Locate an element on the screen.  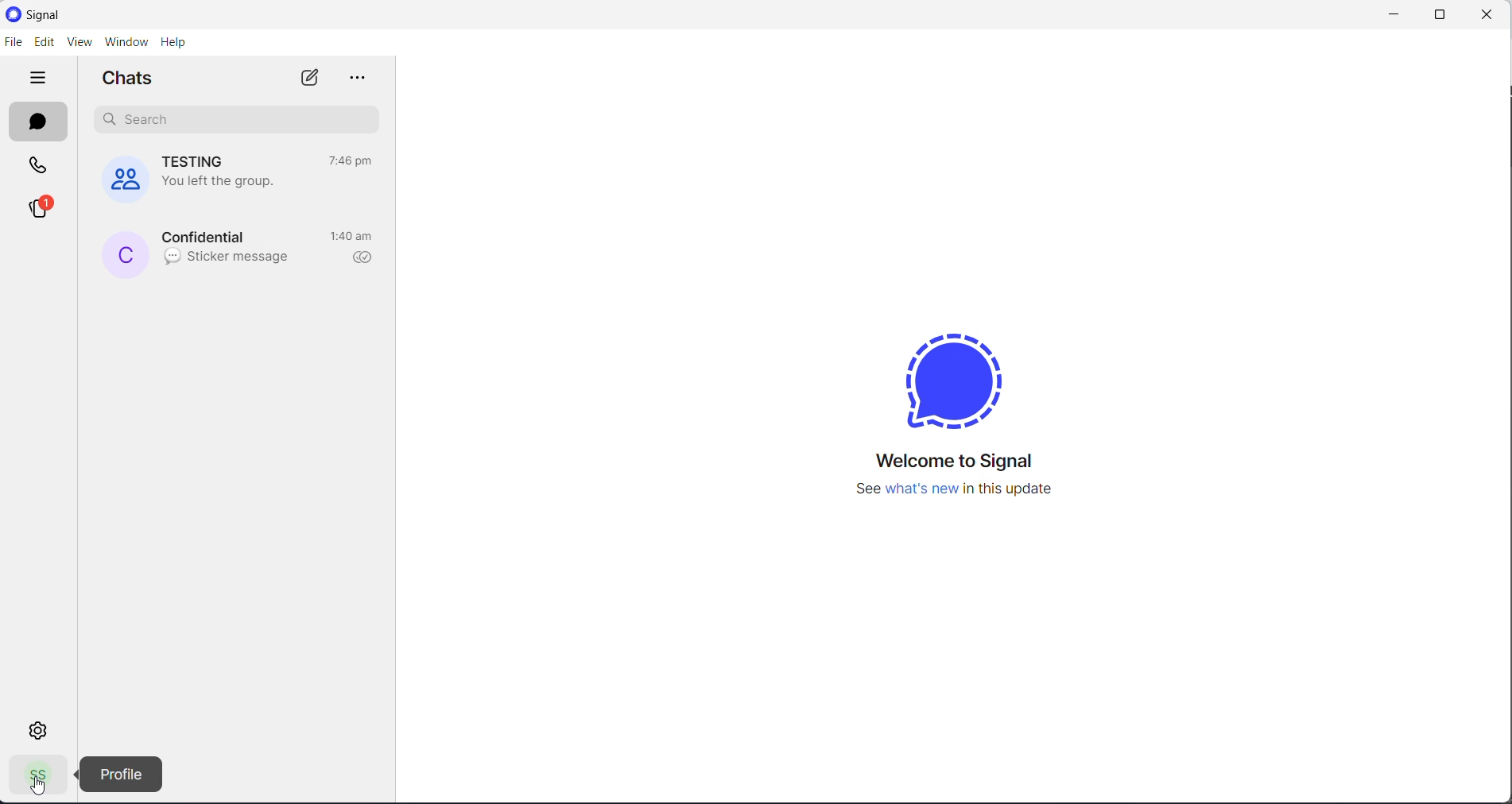
signal logo is located at coordinates (959, 375).